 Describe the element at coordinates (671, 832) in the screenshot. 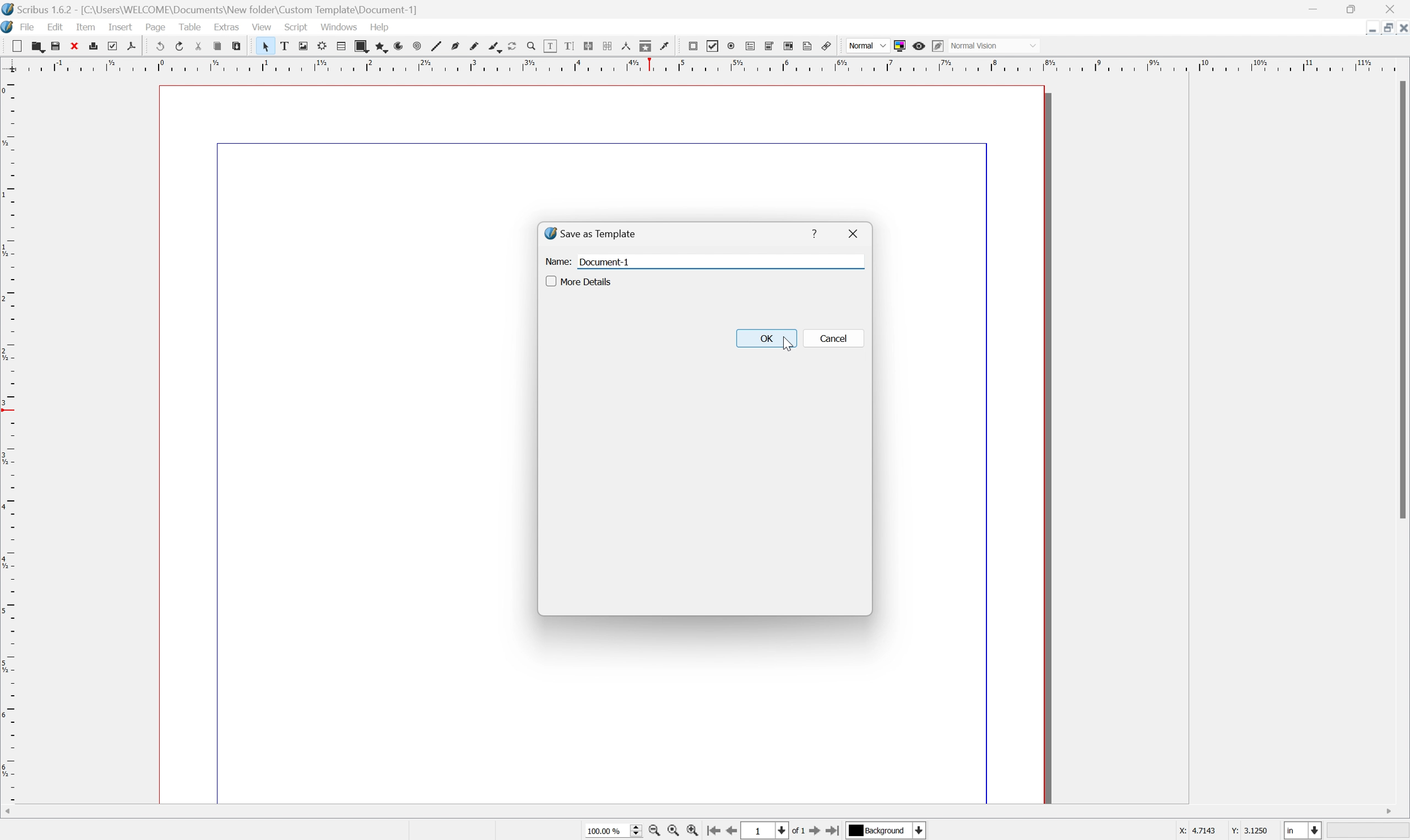

I see `Zoom to 100%` at that location.